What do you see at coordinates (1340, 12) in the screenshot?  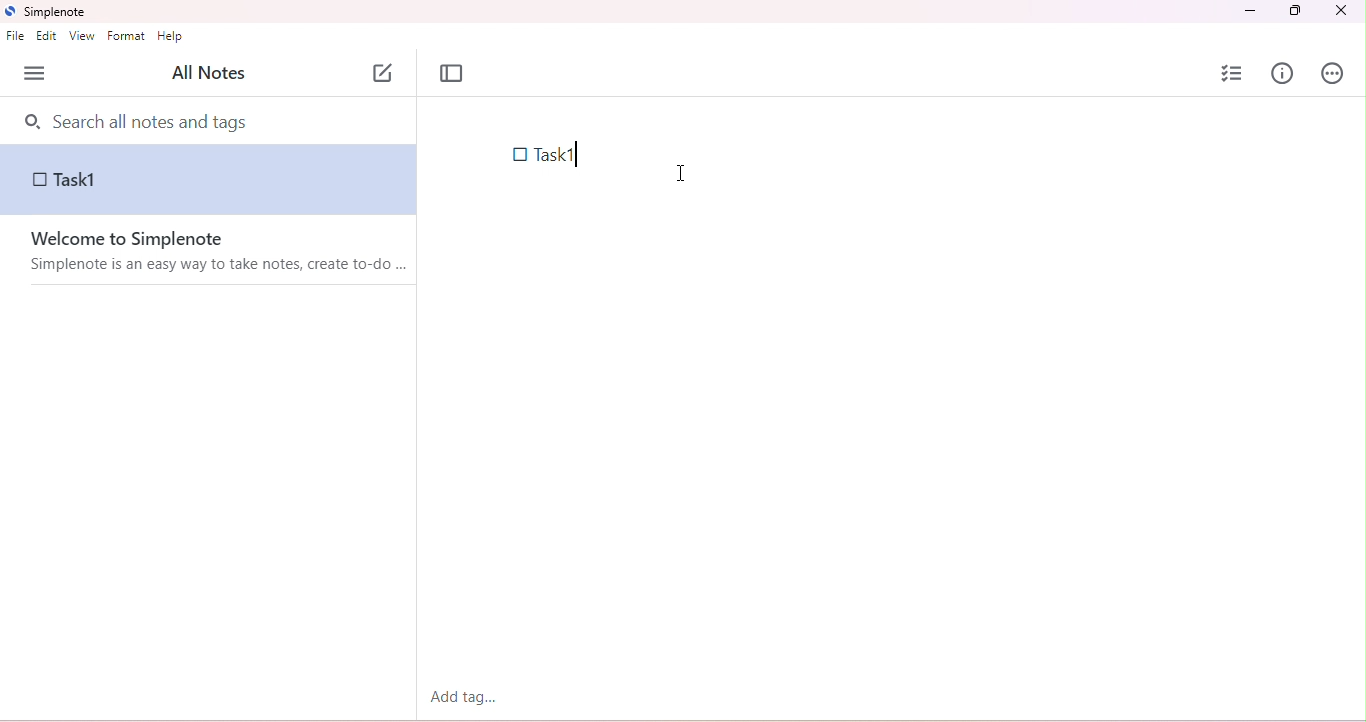 I see `close` at bounding box center [1340, 12].